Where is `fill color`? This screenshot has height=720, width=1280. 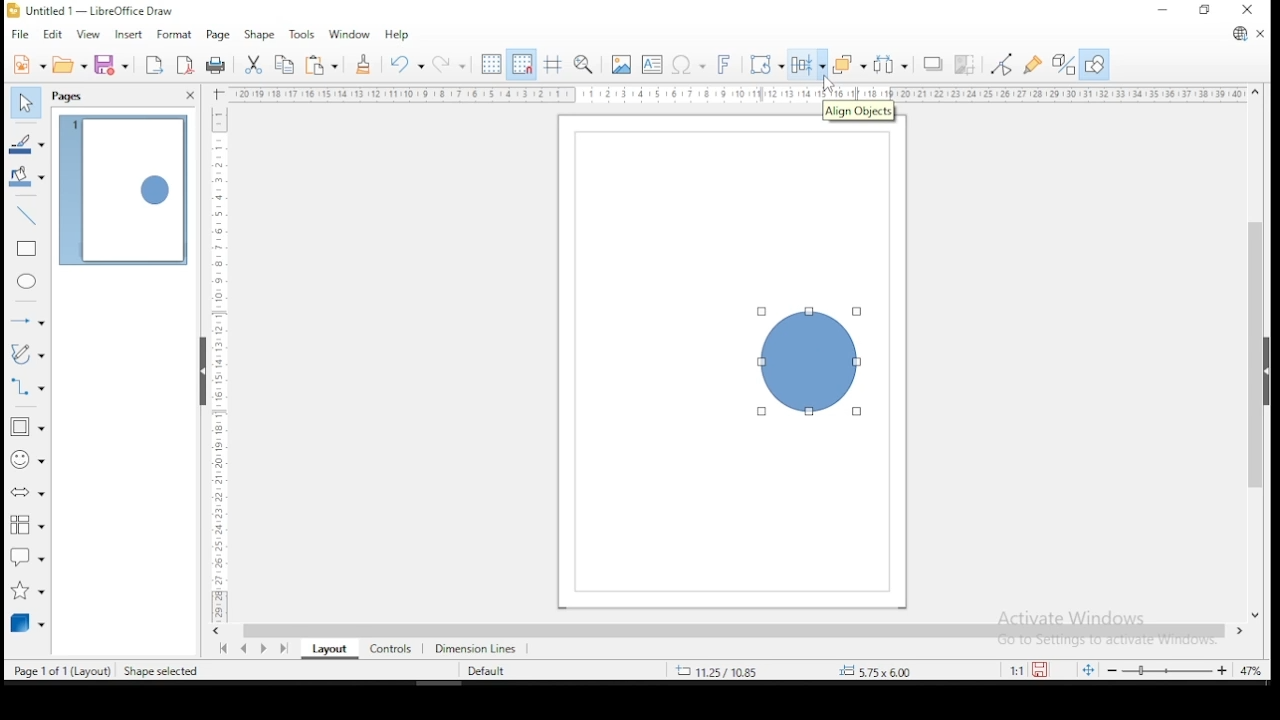 fill color is located at coordinates (28, 176).